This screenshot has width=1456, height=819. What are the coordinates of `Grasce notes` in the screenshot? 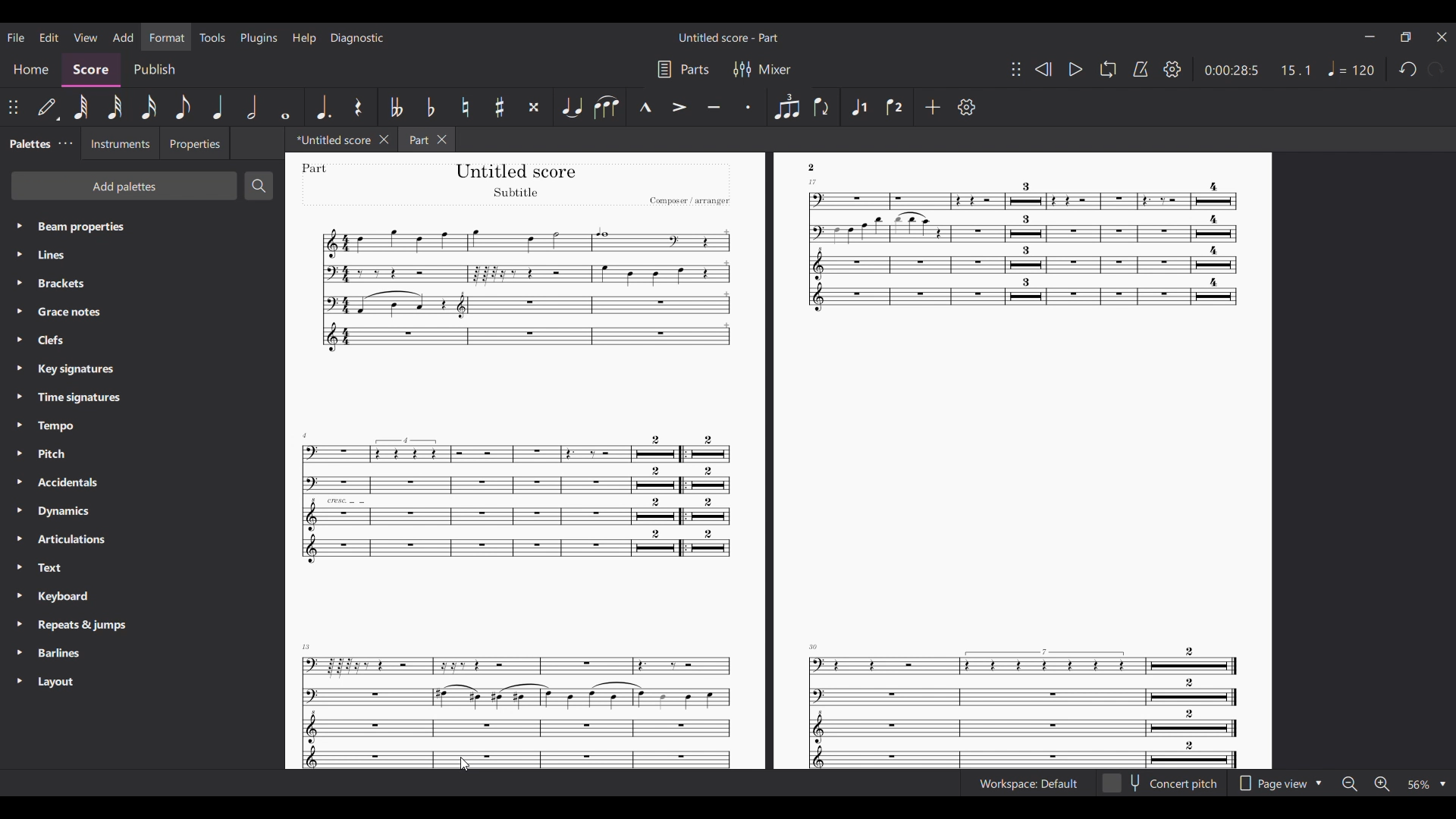 It's located at (74, 313).